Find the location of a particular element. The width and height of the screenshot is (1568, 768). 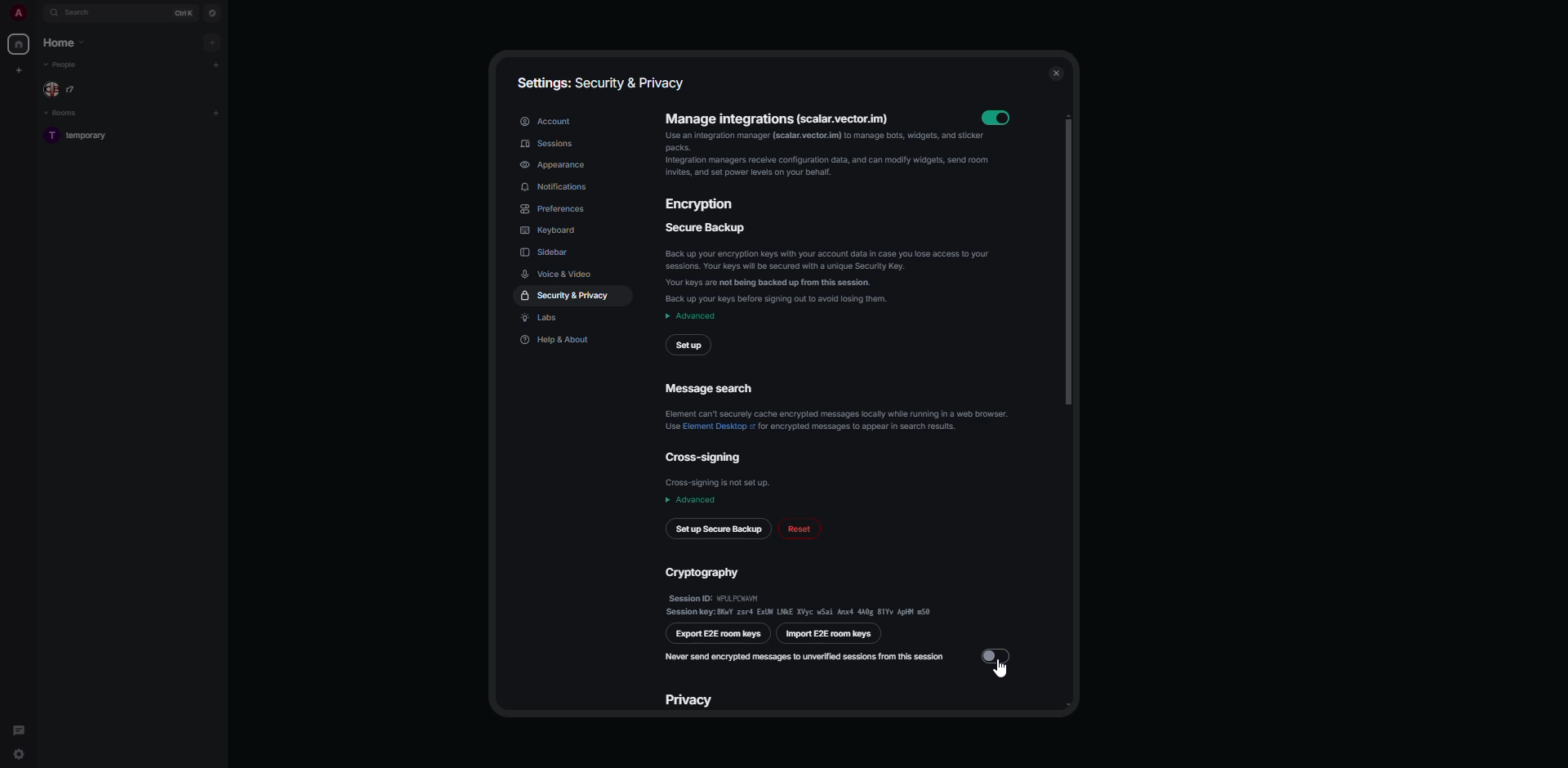

privacy is located at coordinates (693, 699).